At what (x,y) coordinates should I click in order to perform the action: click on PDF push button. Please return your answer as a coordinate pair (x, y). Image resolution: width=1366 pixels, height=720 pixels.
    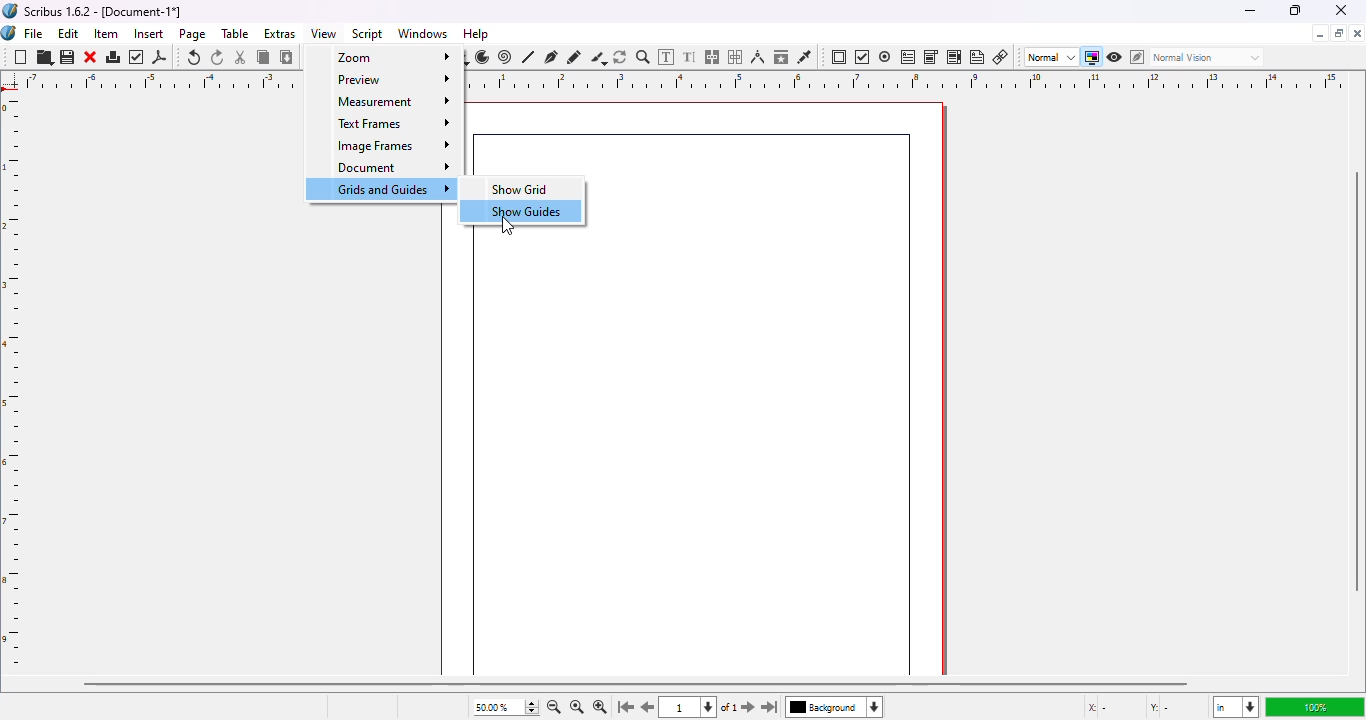
    Looking at the image, I should click on (839, 57).